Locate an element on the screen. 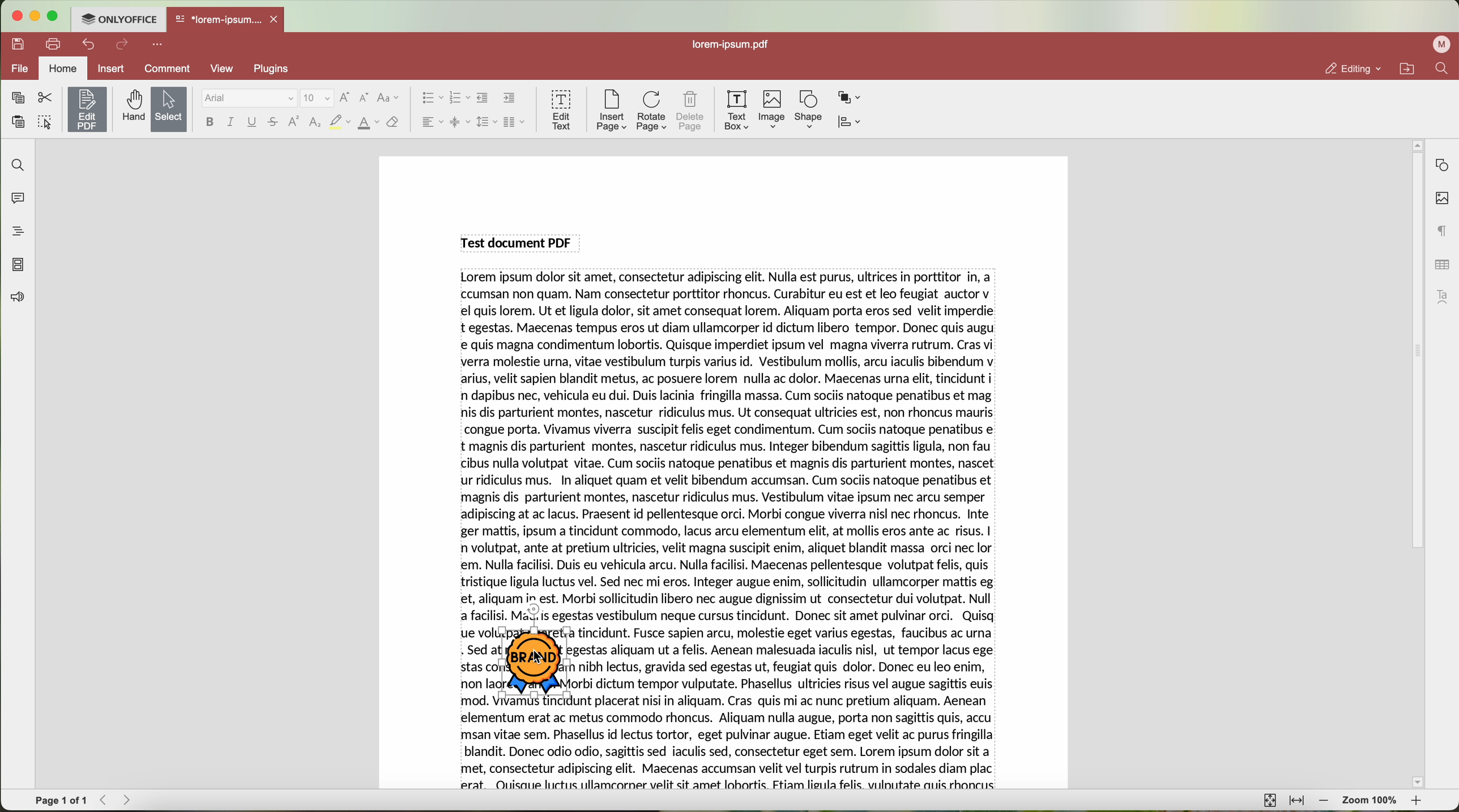 This screenshot has width=1459, height=812. ONLYOFFICE is located at coordinates (118, 18).